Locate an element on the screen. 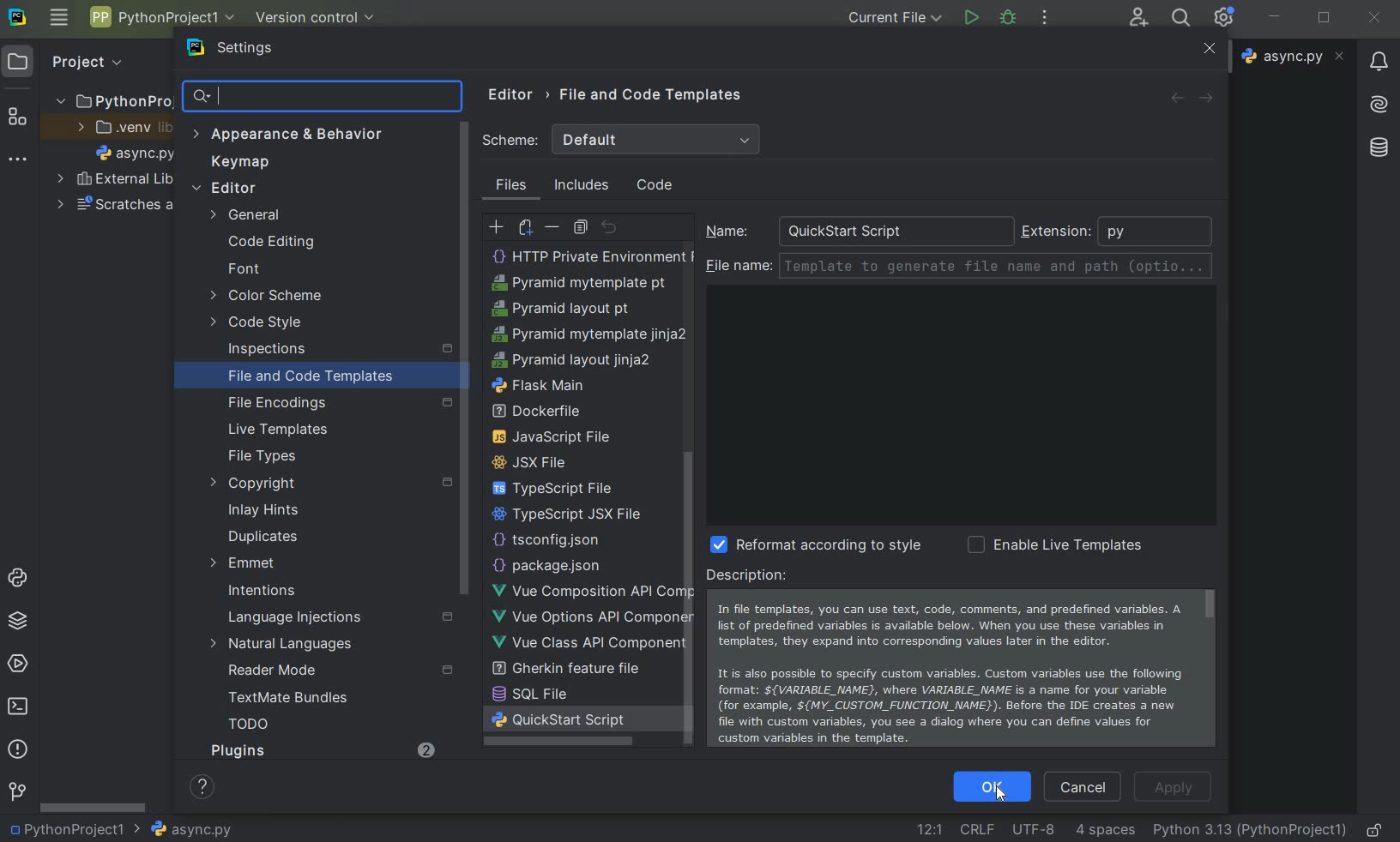 The width and height of the screenshot is (1400, 842). main menu is located at coordinates (60, 18).